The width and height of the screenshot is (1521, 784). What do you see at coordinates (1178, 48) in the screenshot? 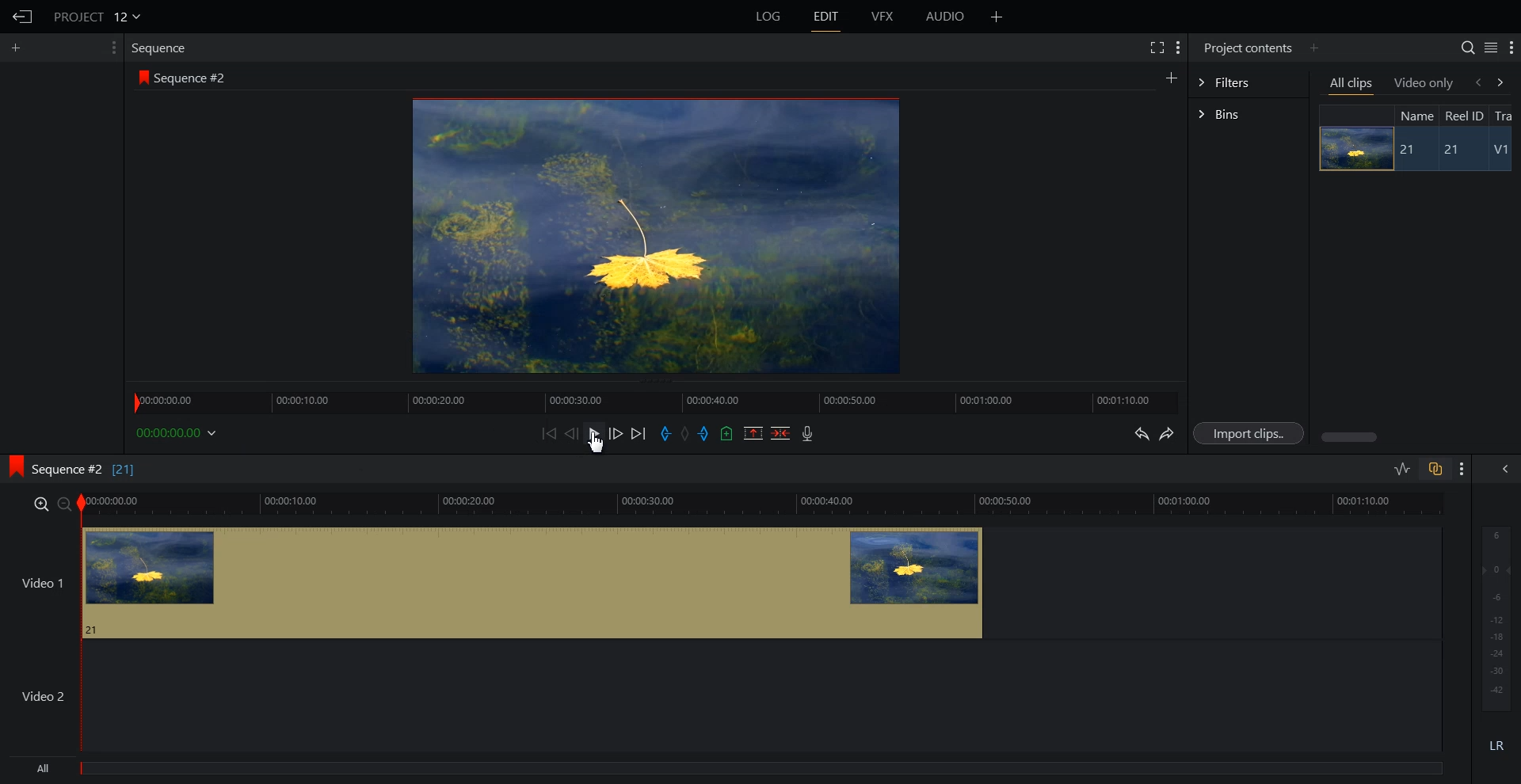
I see `Show setting menu` at bounding box center [1178, 48].